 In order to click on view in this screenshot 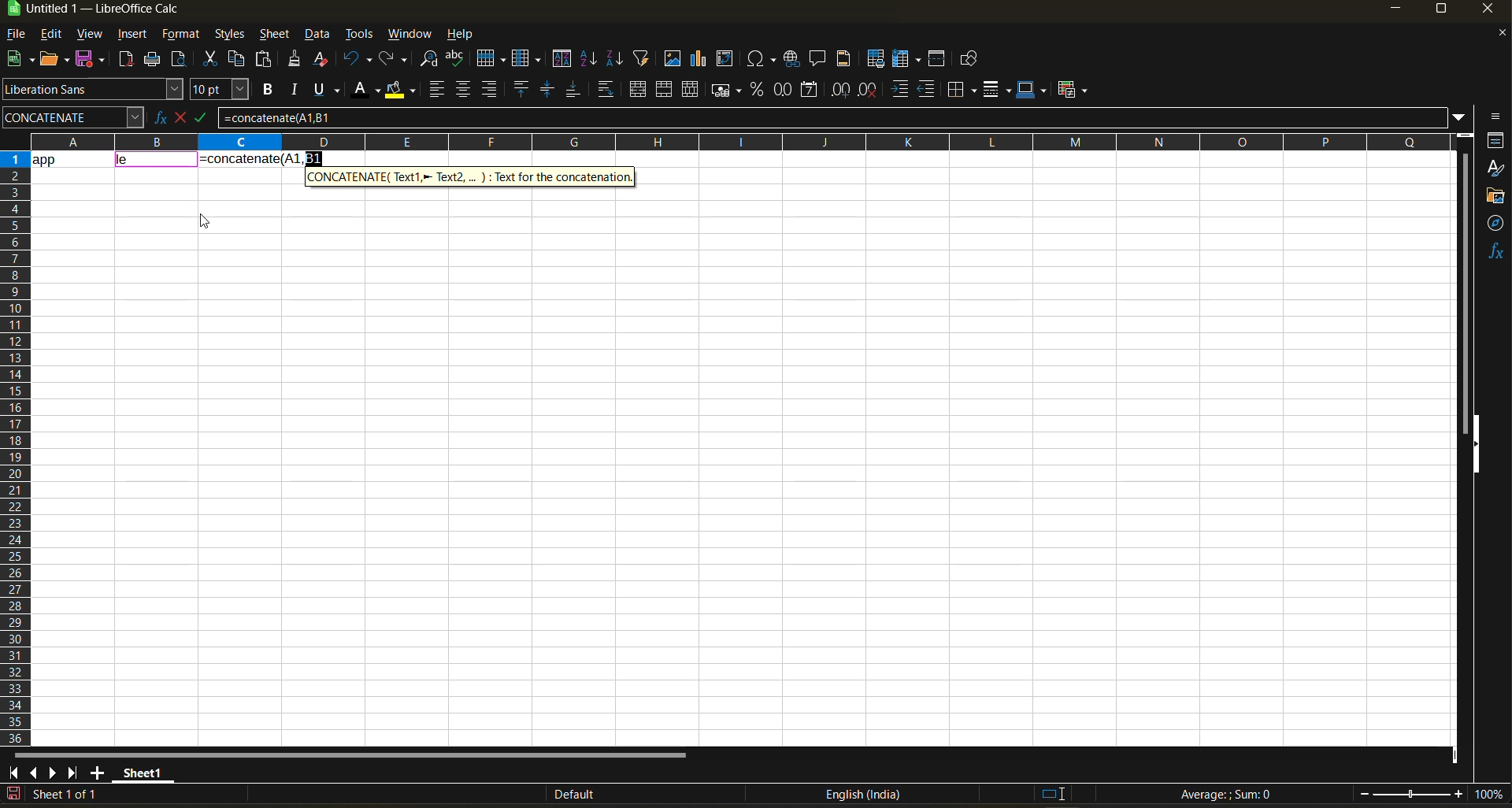, I will do `click(89, 35)`.